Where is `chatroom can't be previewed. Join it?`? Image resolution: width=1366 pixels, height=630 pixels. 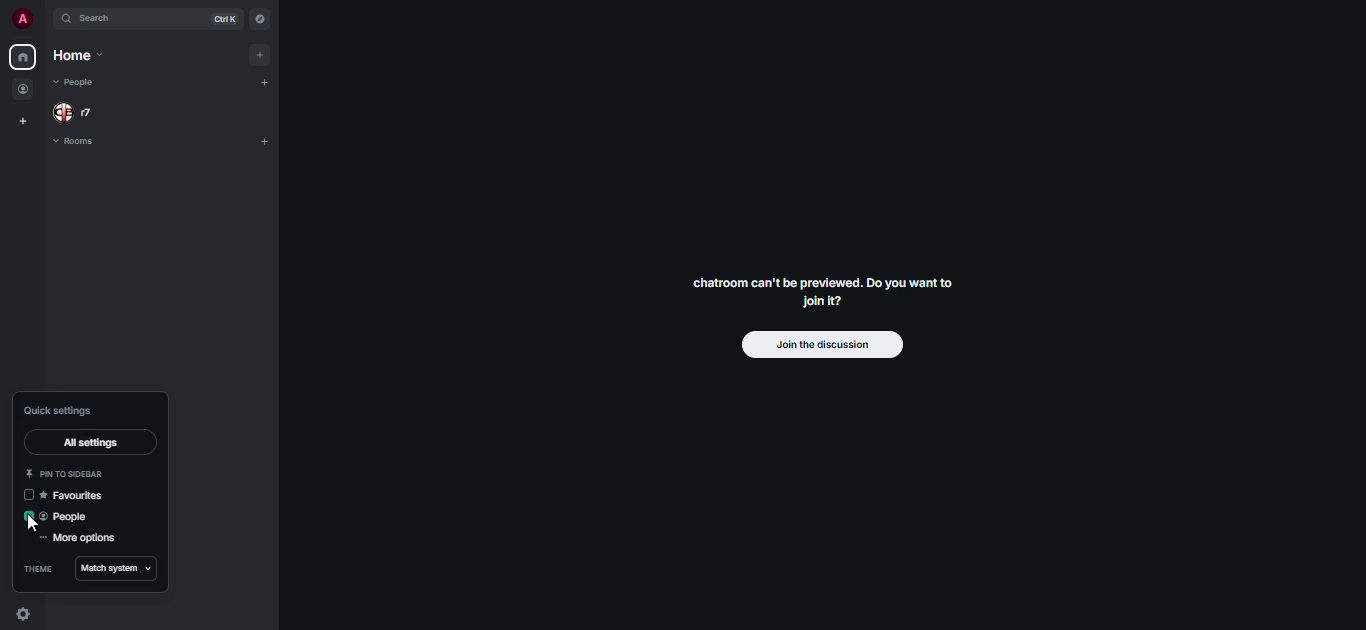
chatroom can't be previewed. Join it? is located at coordinates (822, 294).